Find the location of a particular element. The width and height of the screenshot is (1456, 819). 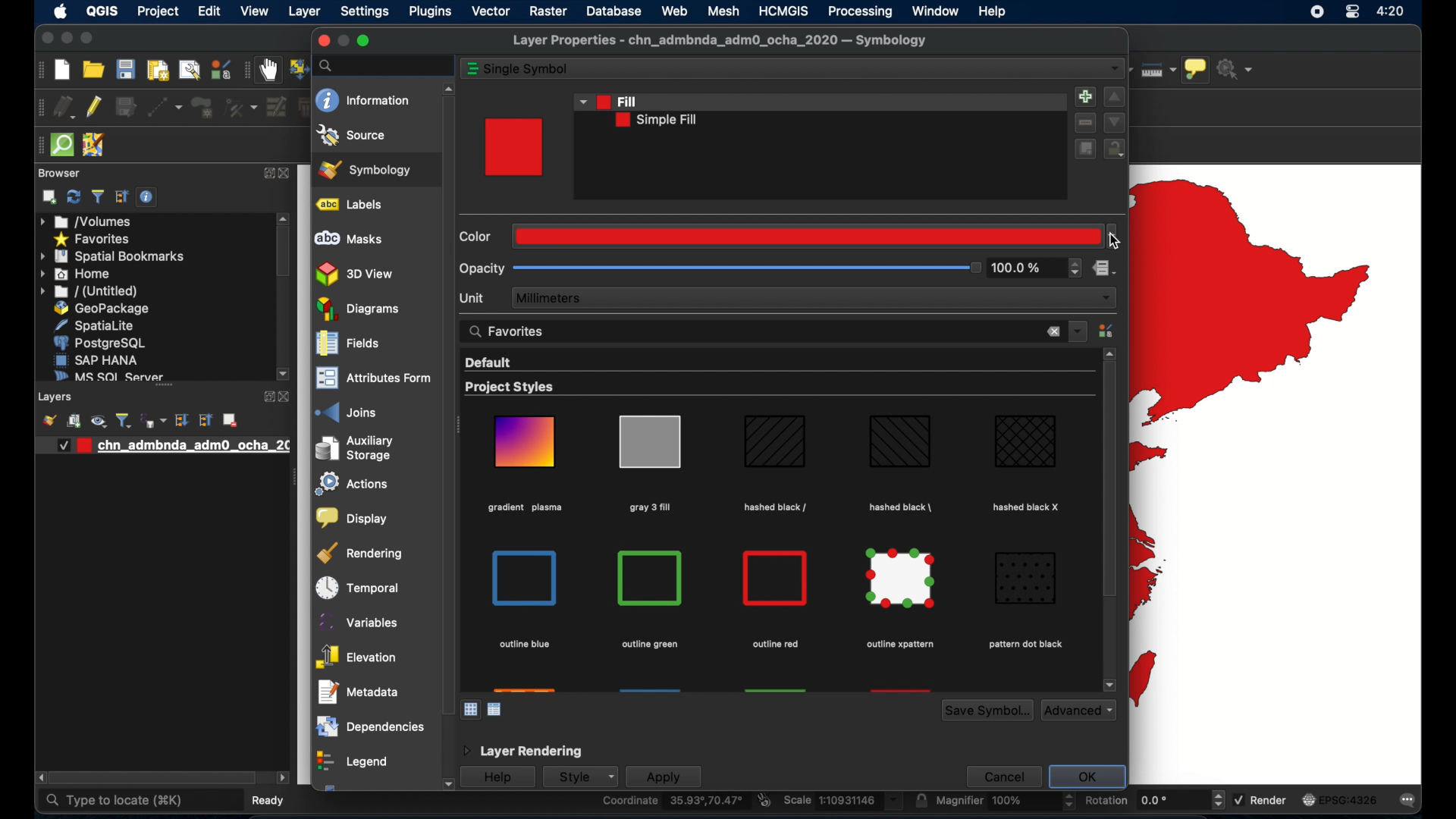

scroll box is located at coordinates (154, 779).